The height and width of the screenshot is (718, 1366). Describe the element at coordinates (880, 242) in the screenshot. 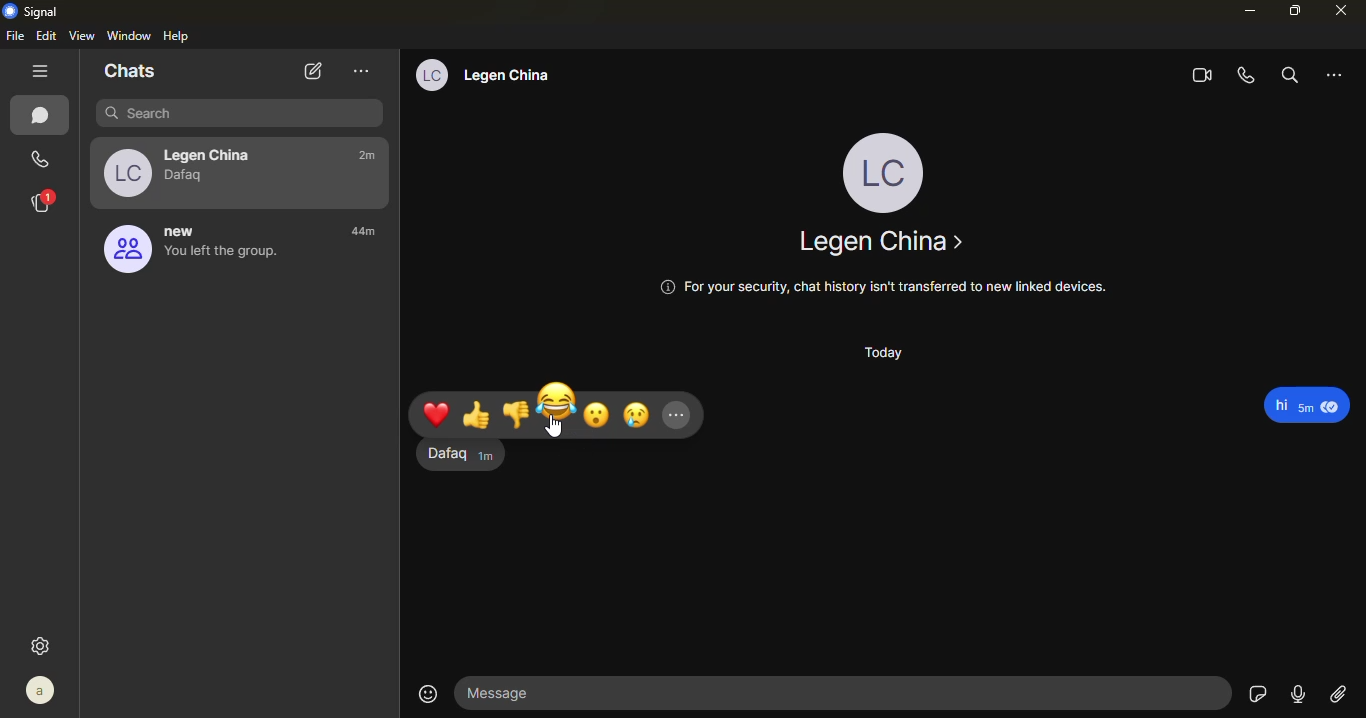

I see `Legen china` at that location.